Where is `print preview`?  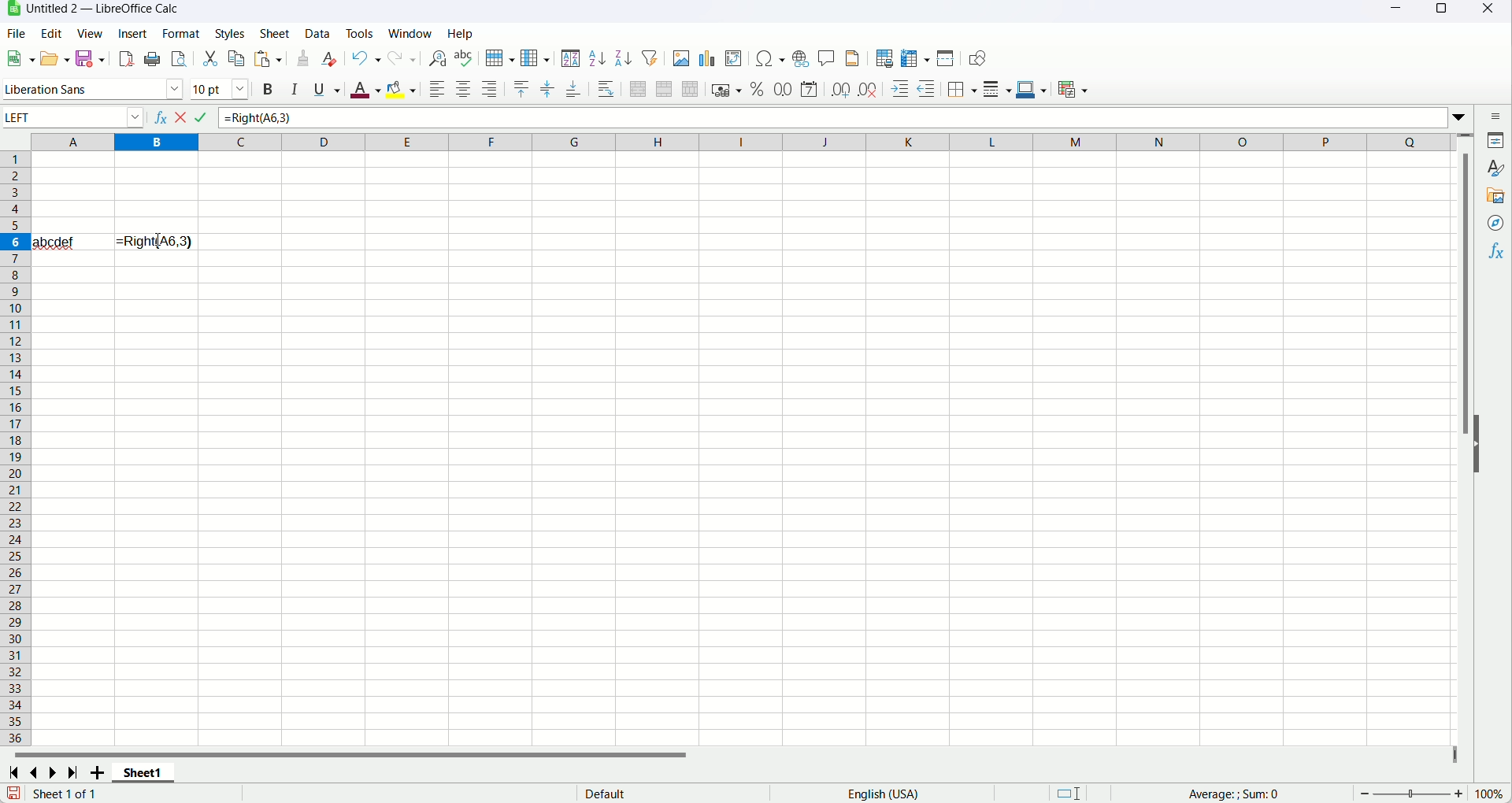 print preview is located at coordinates (180, 58).